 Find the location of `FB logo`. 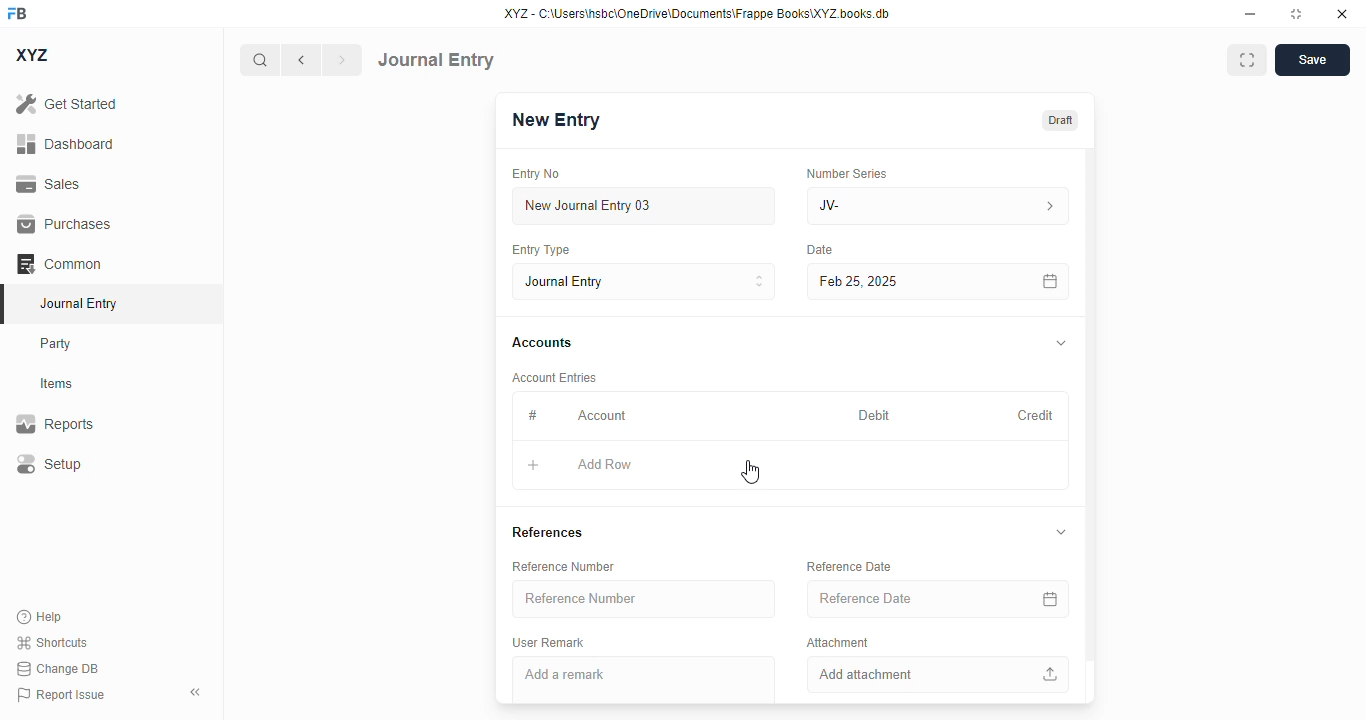

FB logo is located at coordinates (17, 12).